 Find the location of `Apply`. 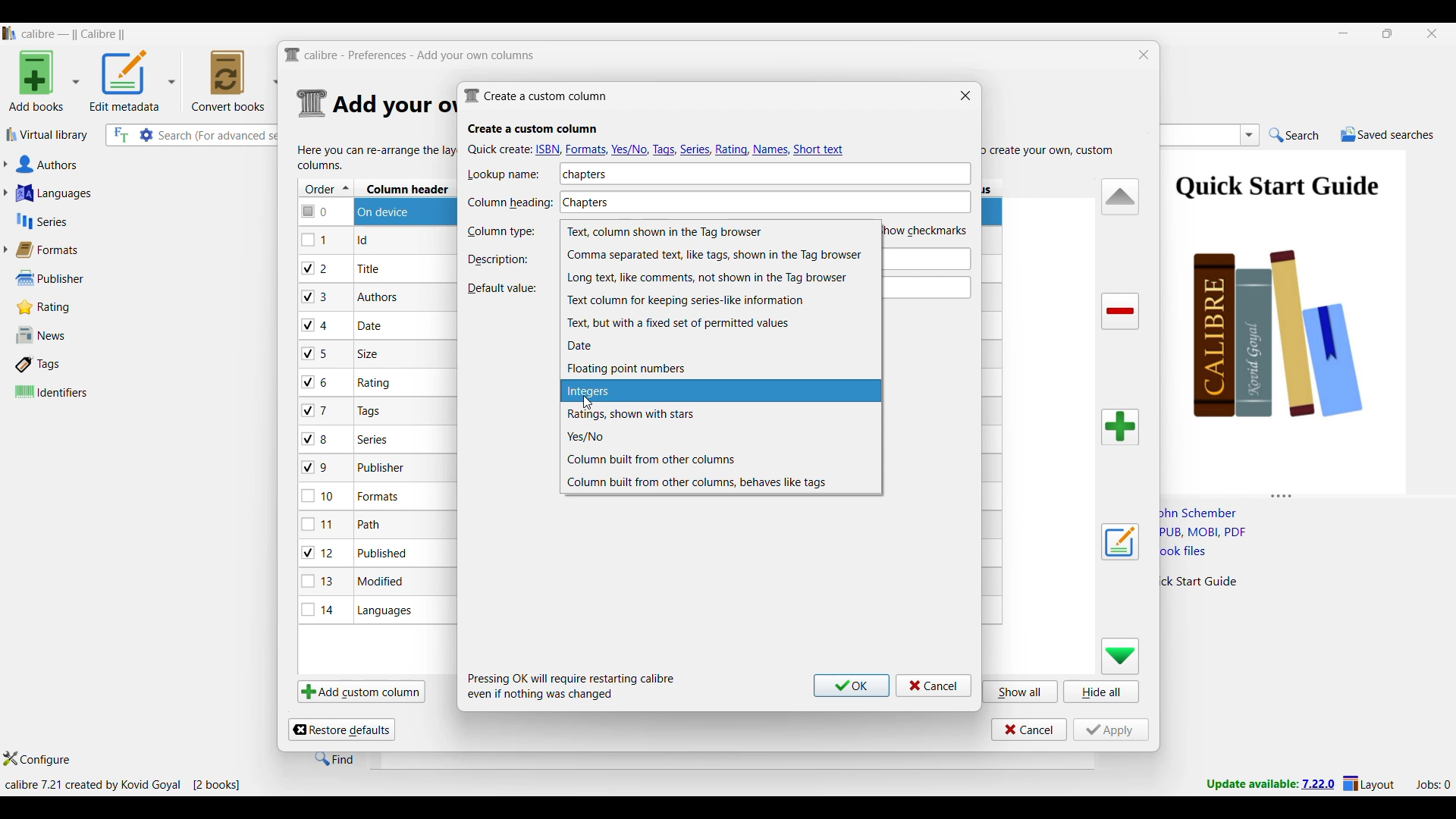

Apply is located at coordinates (1111, 730).